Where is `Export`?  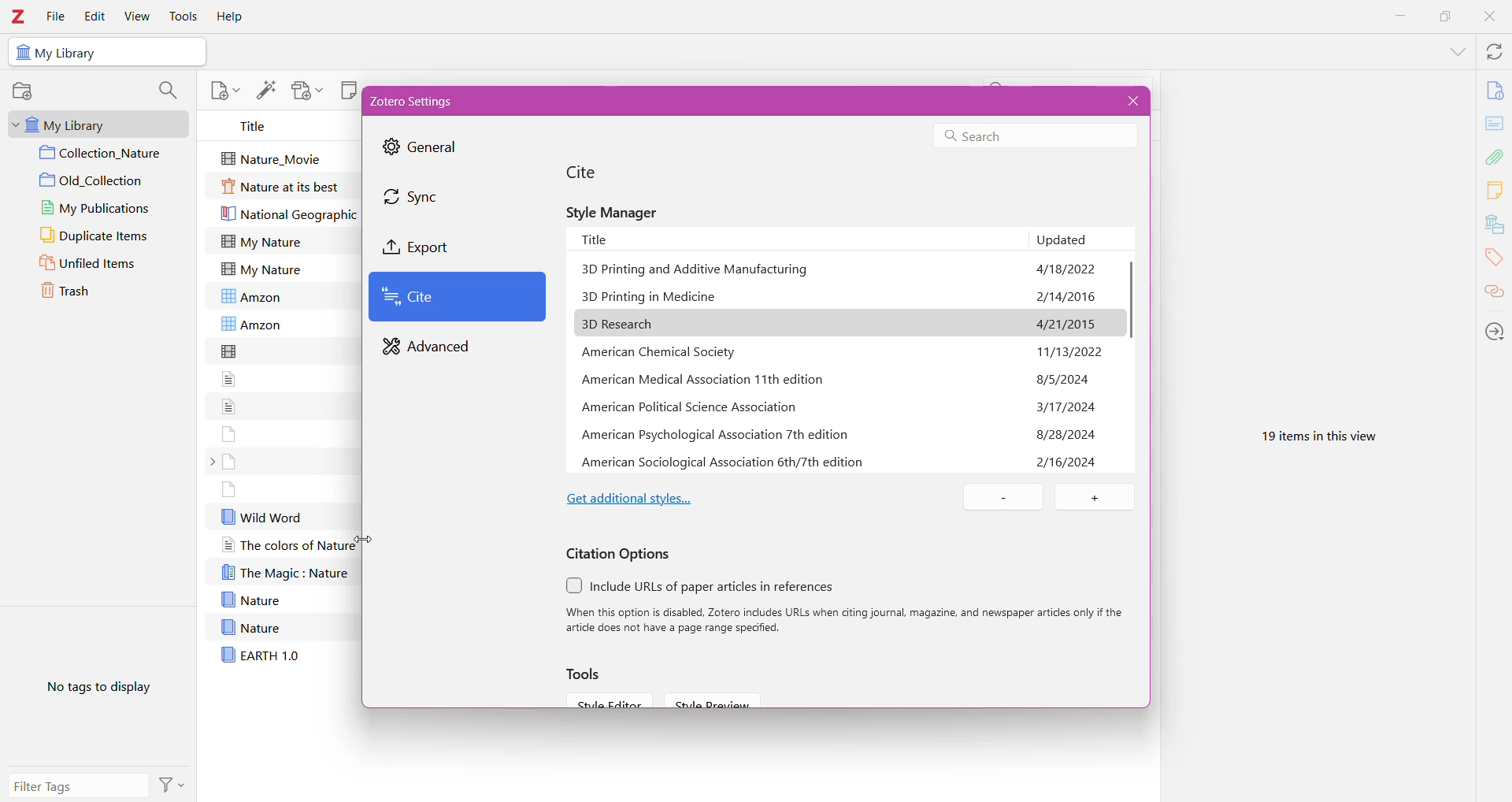
Export is located at coordinates (435, 247).